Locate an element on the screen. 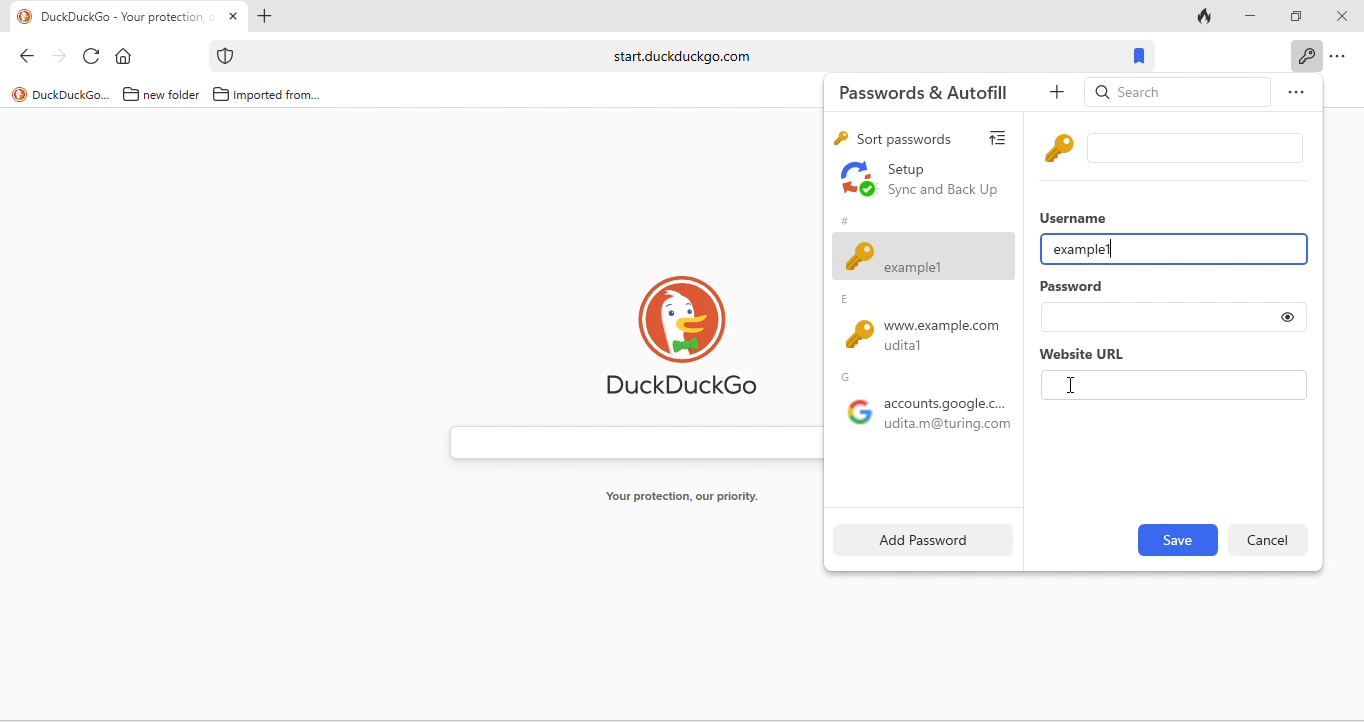 The image size is (1364, 722). password input box is located at coordinates (1155, 319).